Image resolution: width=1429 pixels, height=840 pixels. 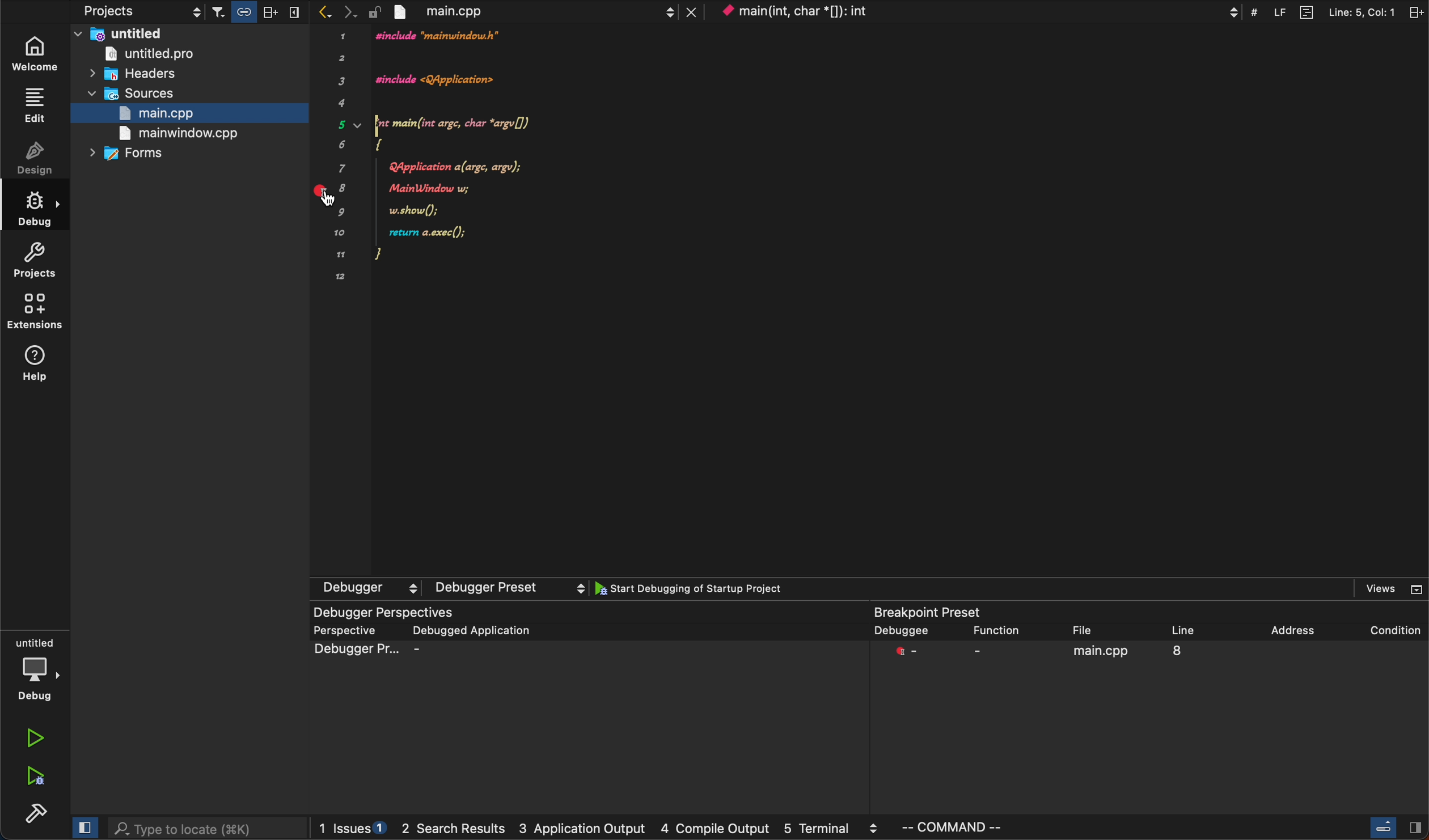 What do you see at coordinates (543, 12) in the screenshot?
I see `file tab` at bounding box center [543, 12].